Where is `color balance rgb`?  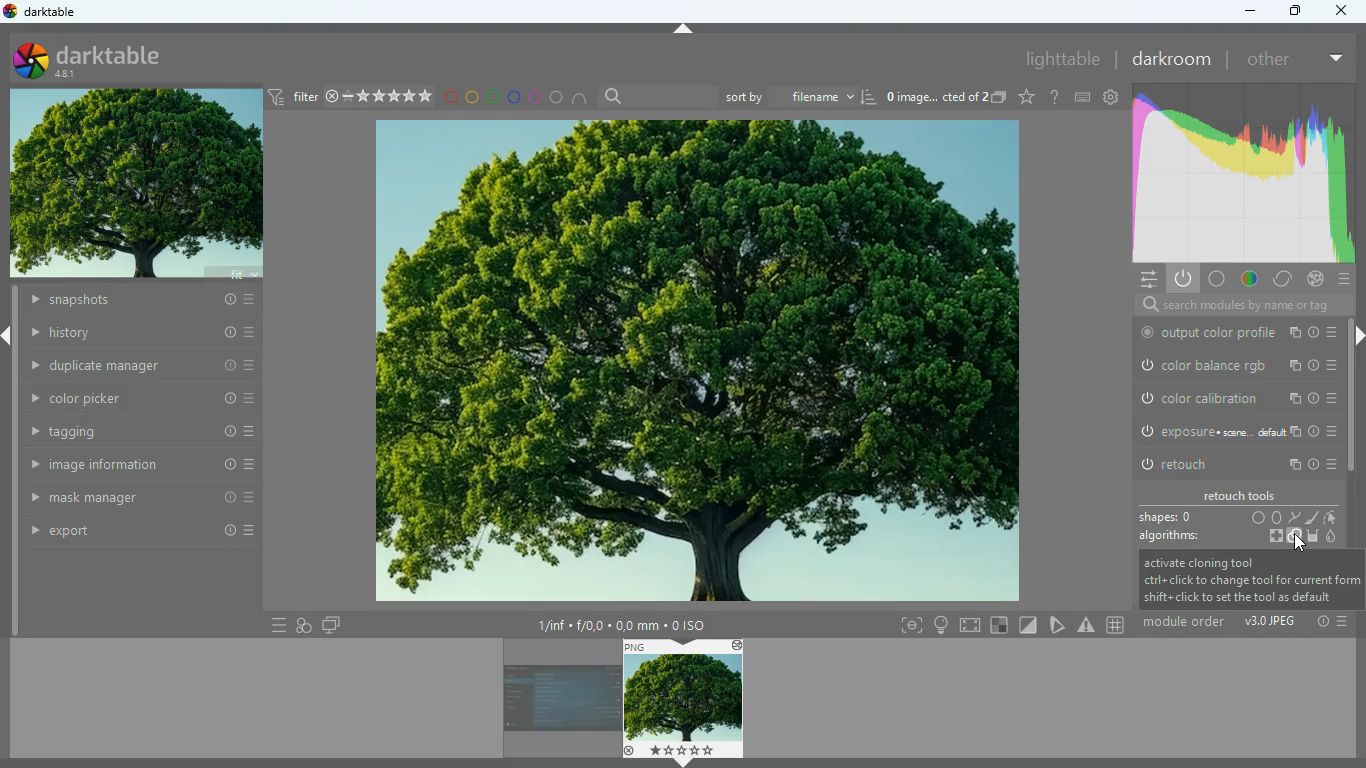 color balance rgb is located at coordinates (1233, 365).